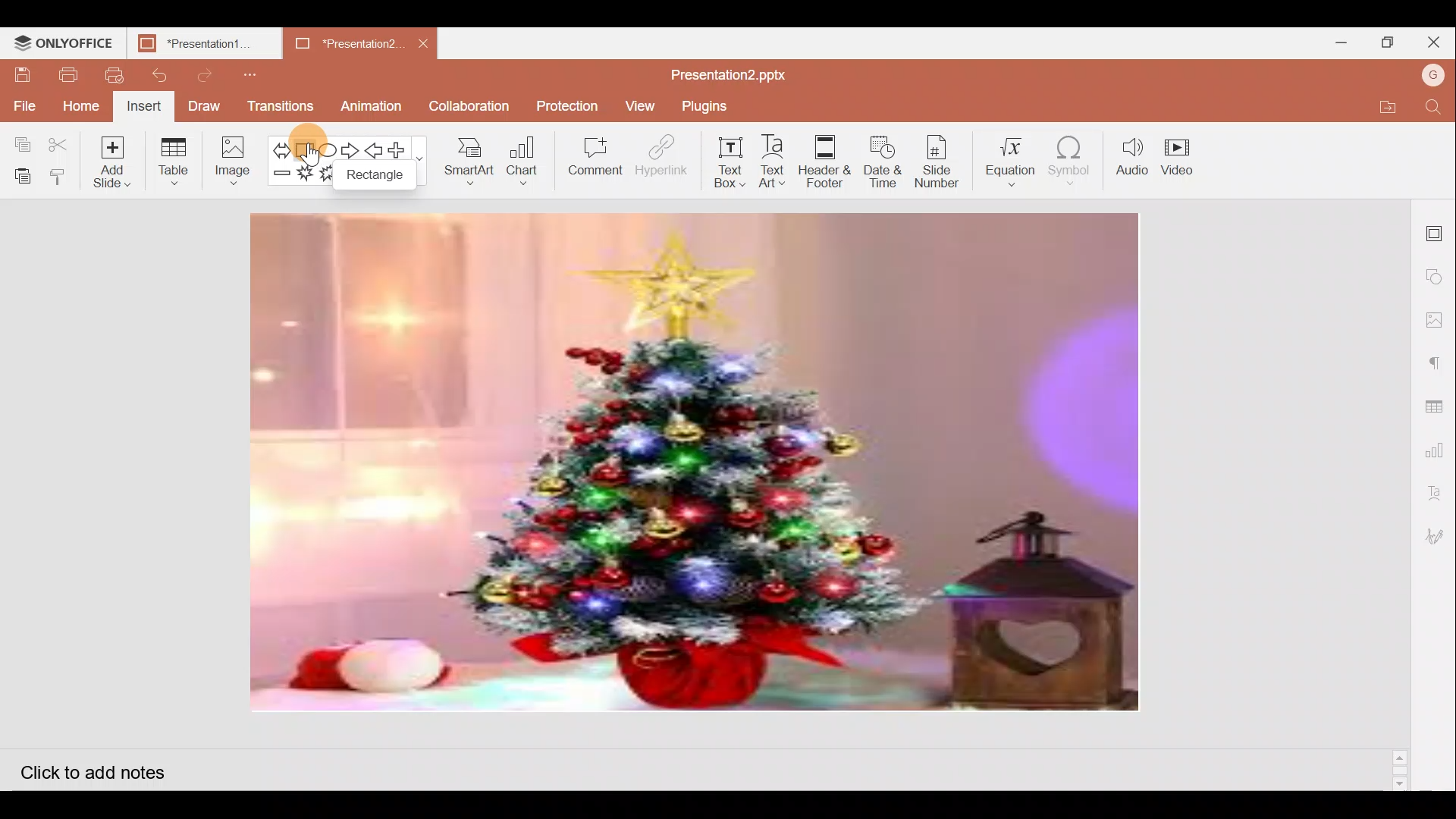 This screenshot has width=1456, height=819. I want to click on View, so click(638, 106).